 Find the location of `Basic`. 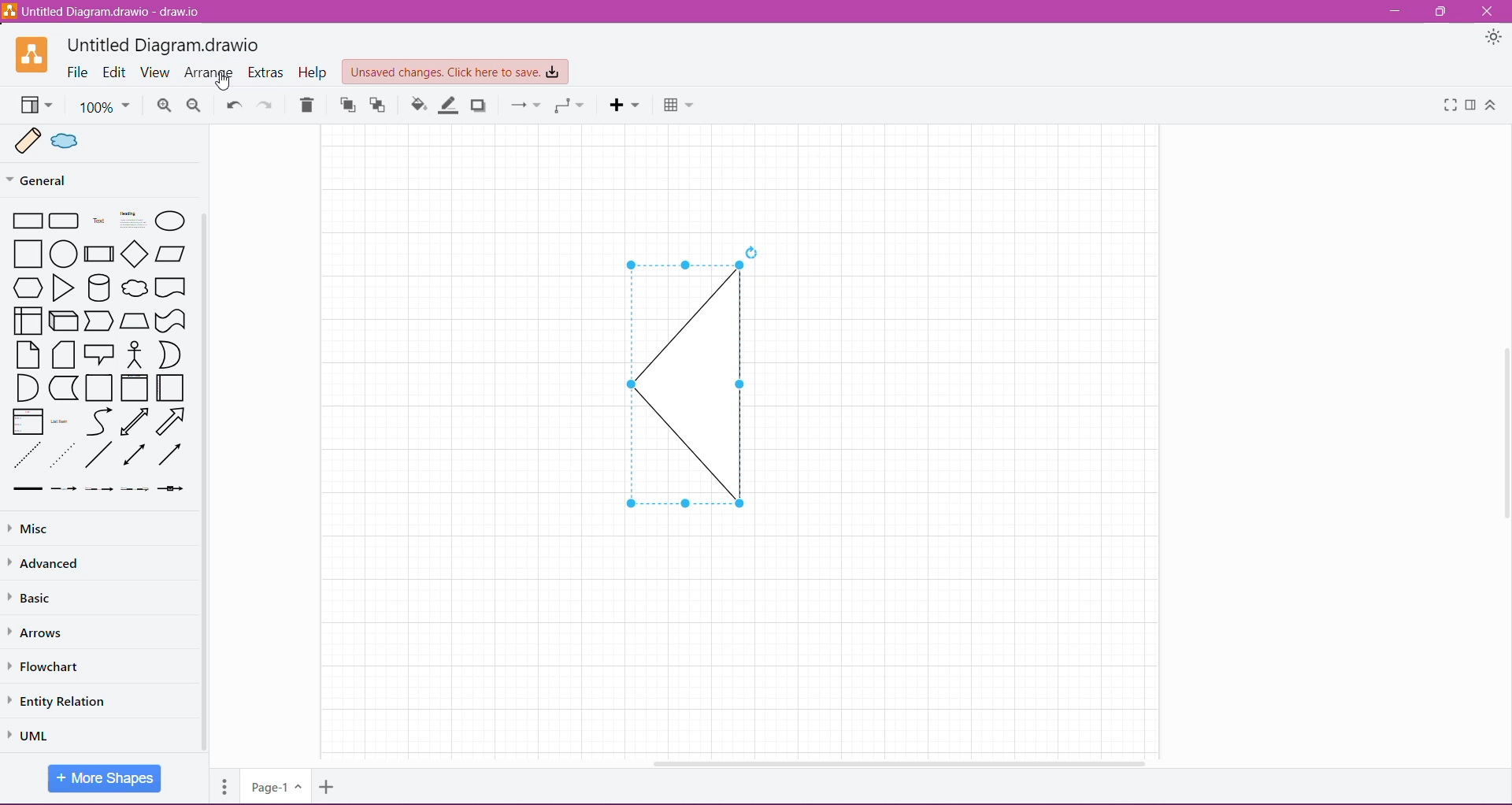

Basic is located at coordinates (31, 600).